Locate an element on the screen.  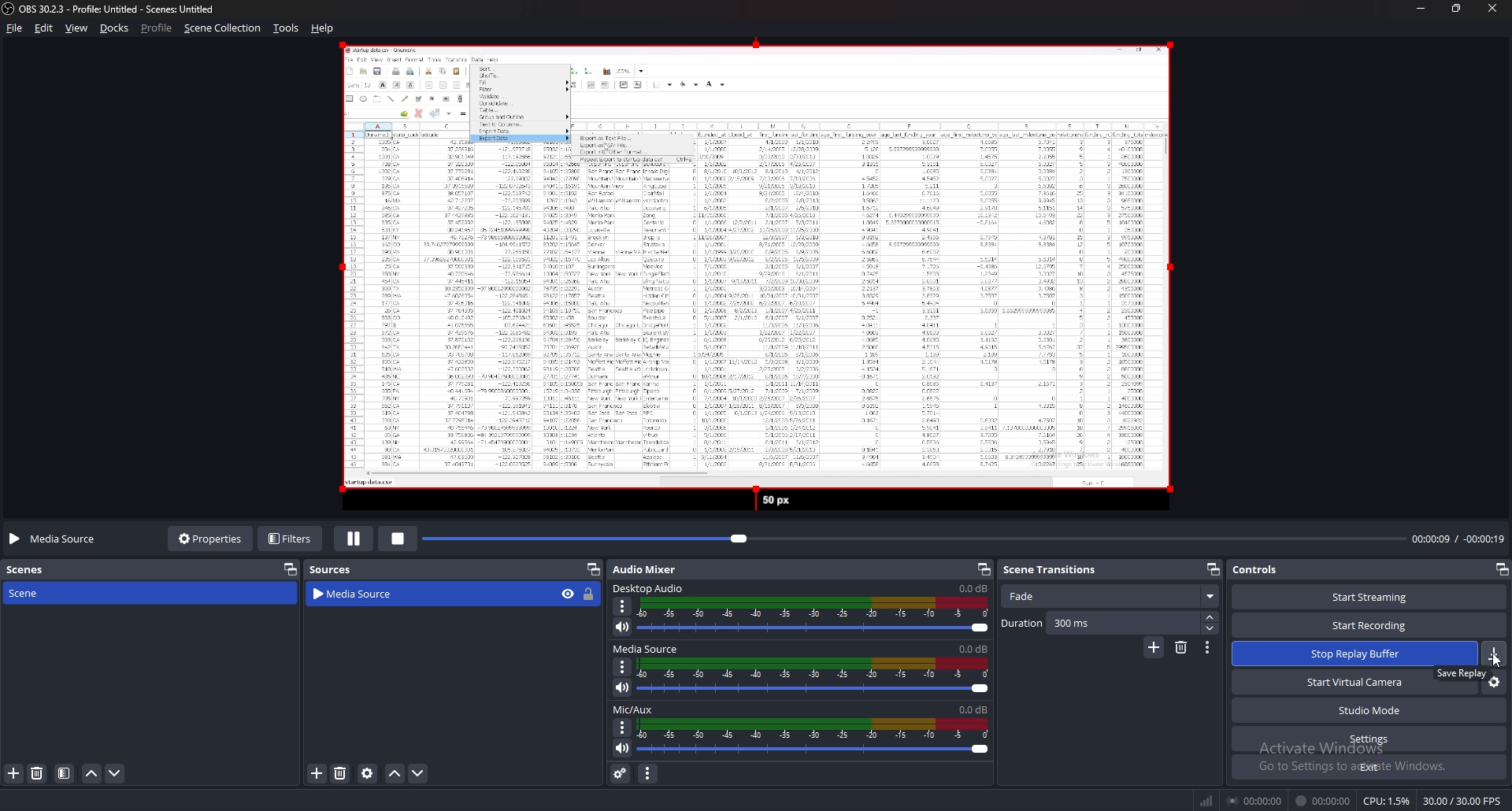
settings is located at coordinates (1369, 739).